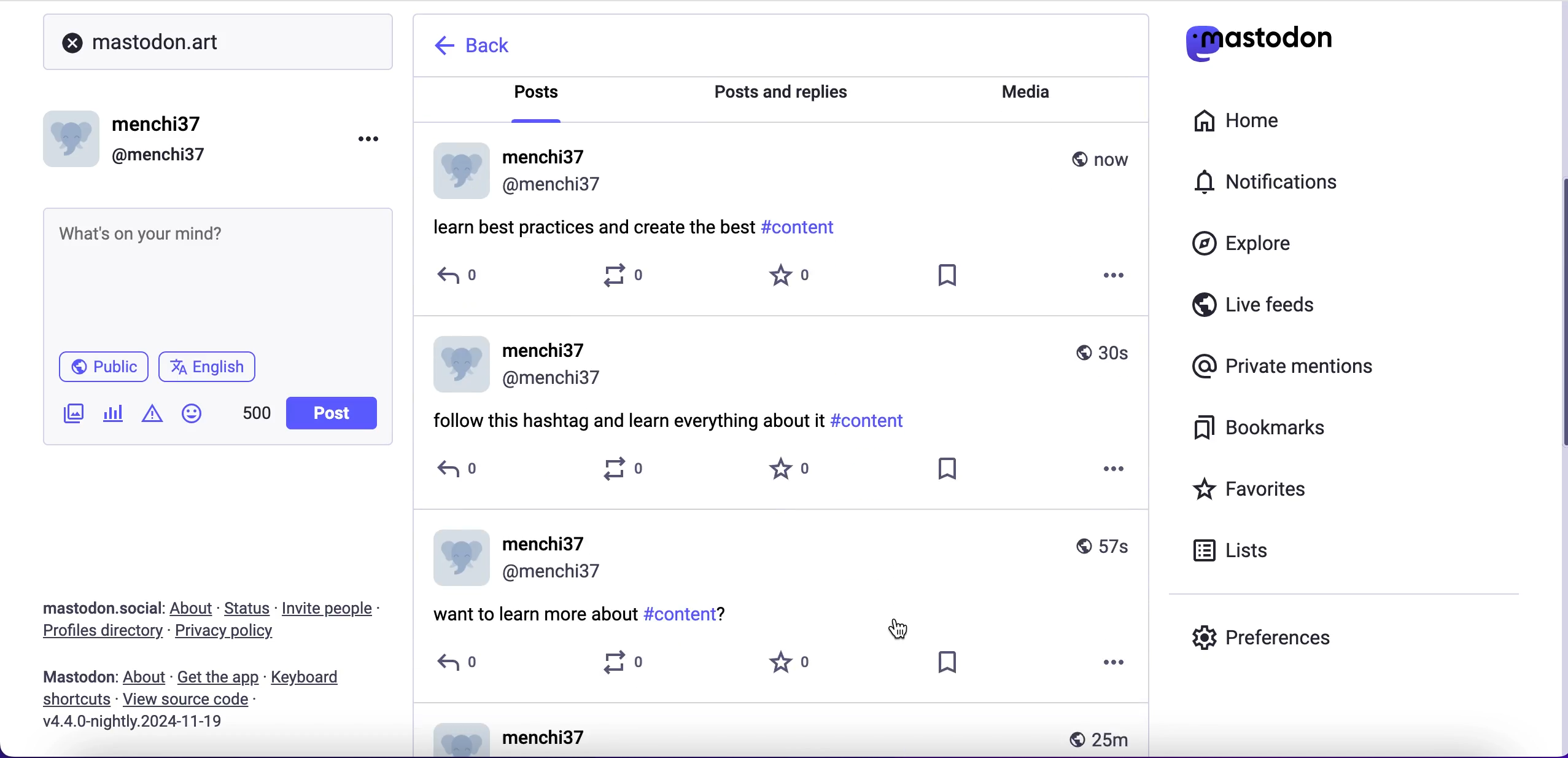 This screenshot has height=758, width=1568. I want to click on add warnings, so click(152, 418).